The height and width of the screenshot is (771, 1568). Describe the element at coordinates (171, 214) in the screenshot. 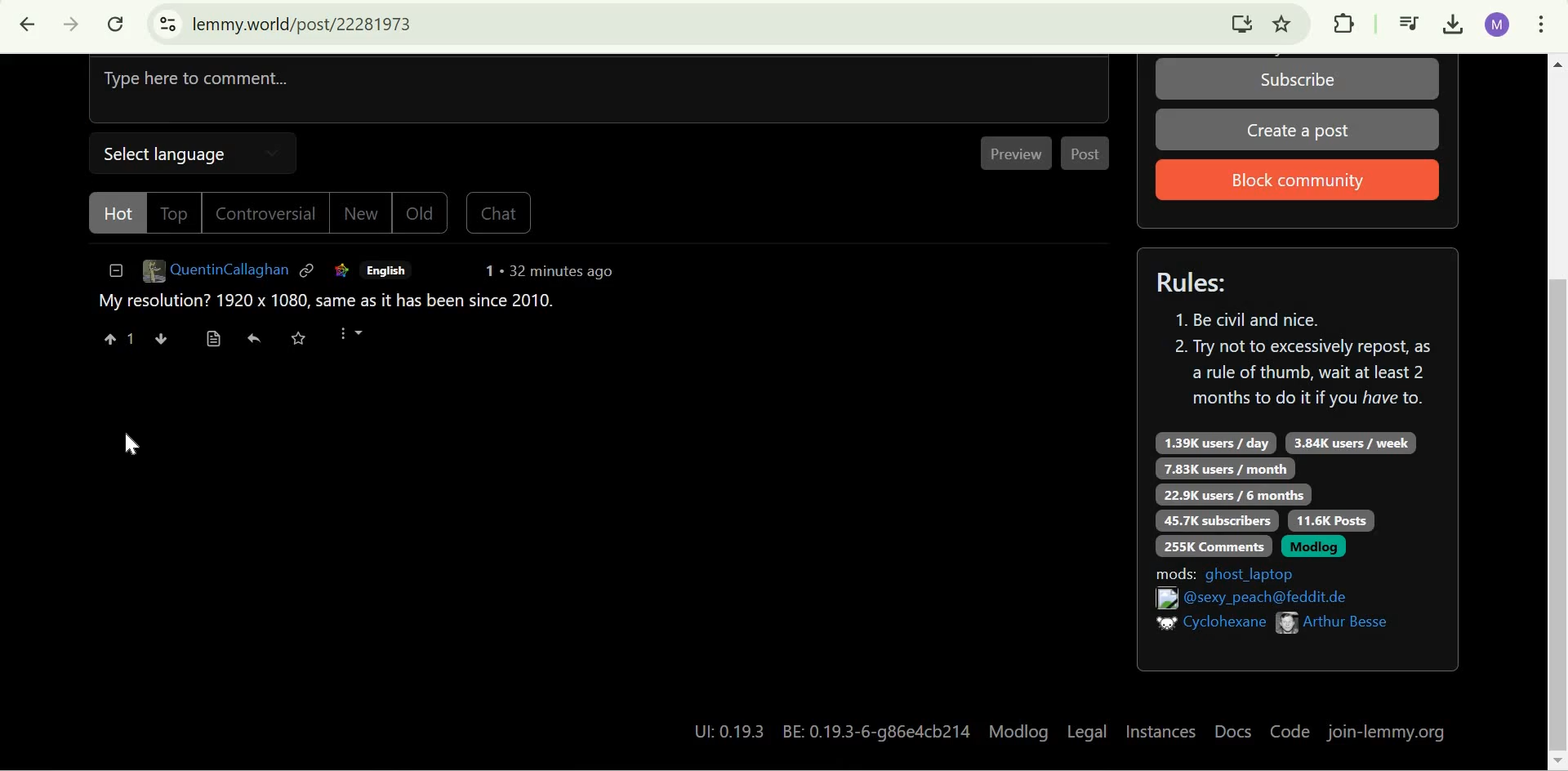

I see `Top` at that location.